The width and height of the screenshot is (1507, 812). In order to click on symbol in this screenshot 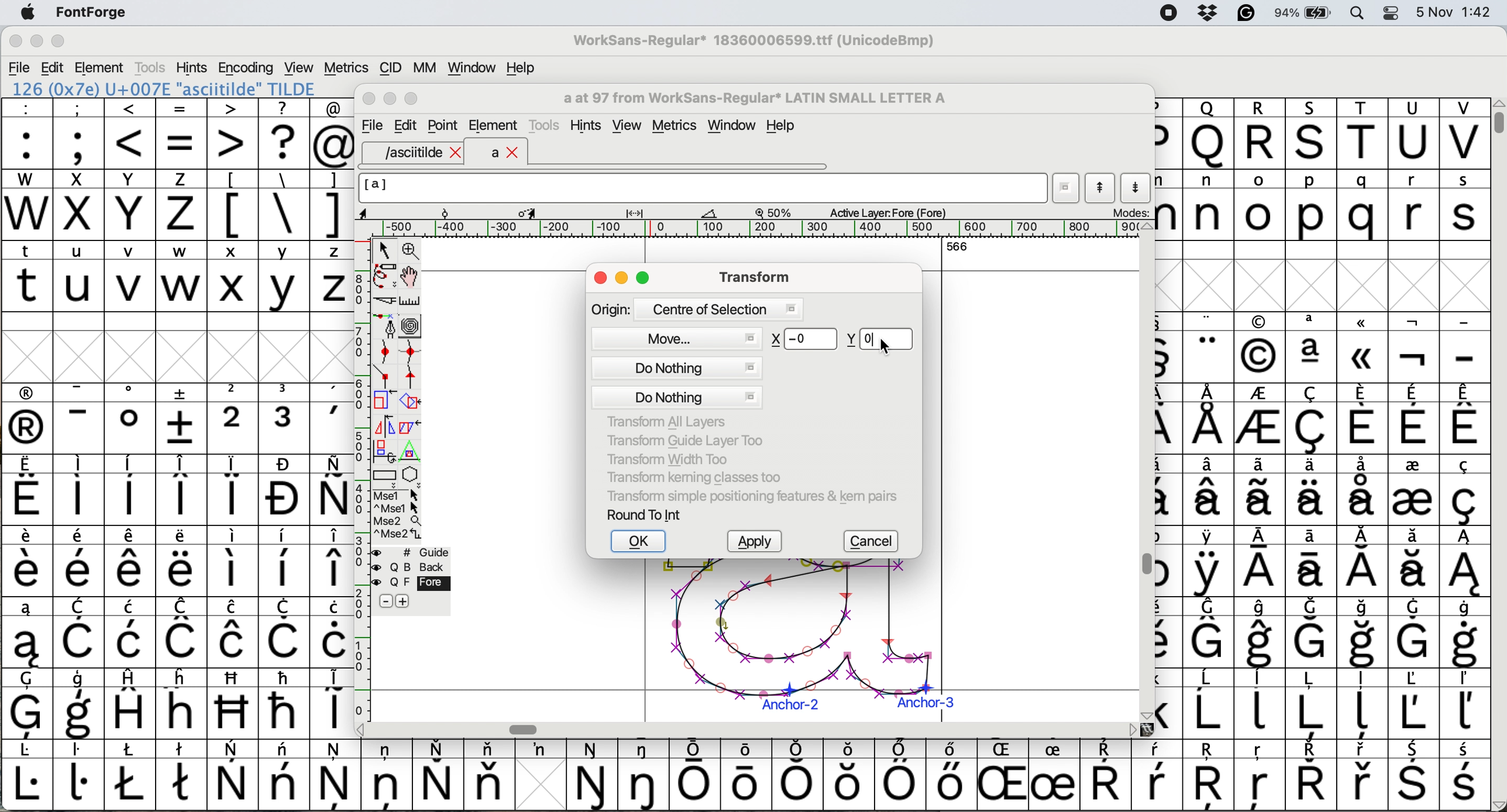, I will do `click(27, 562)`.